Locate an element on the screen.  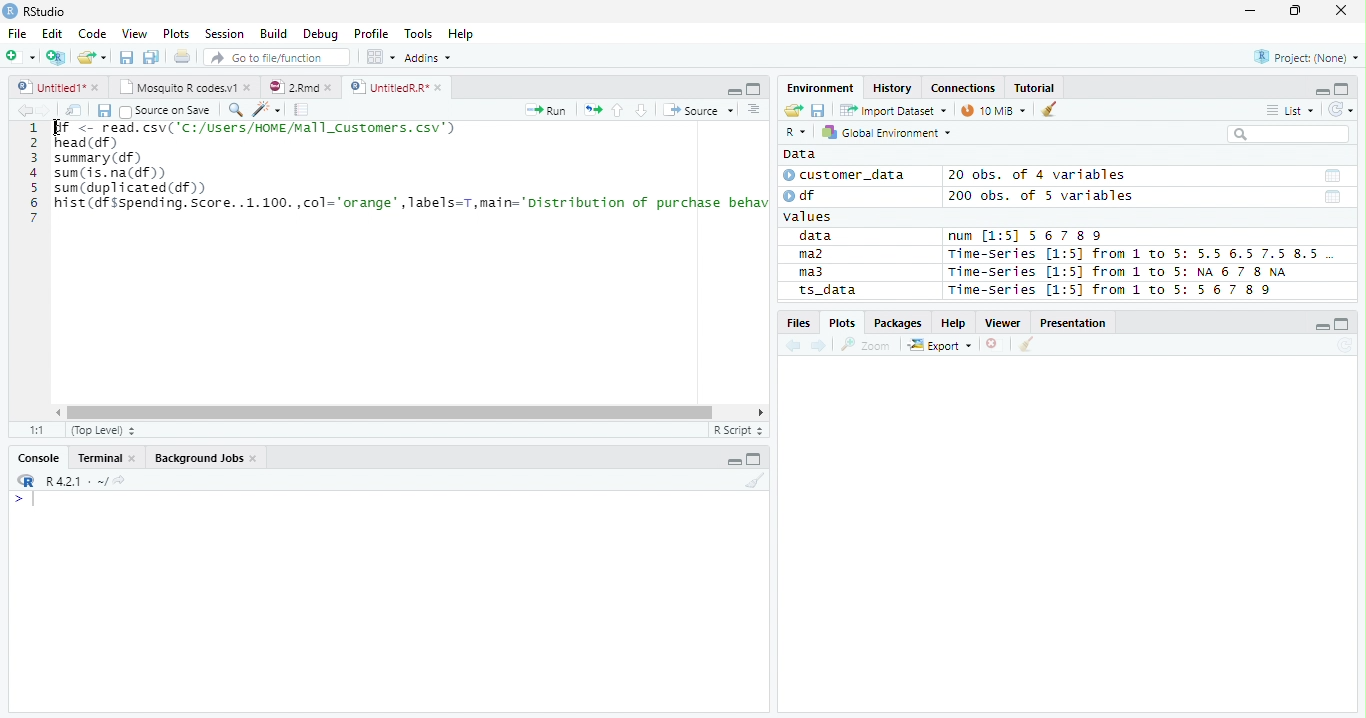
Next is located at coordinates (45, 111).